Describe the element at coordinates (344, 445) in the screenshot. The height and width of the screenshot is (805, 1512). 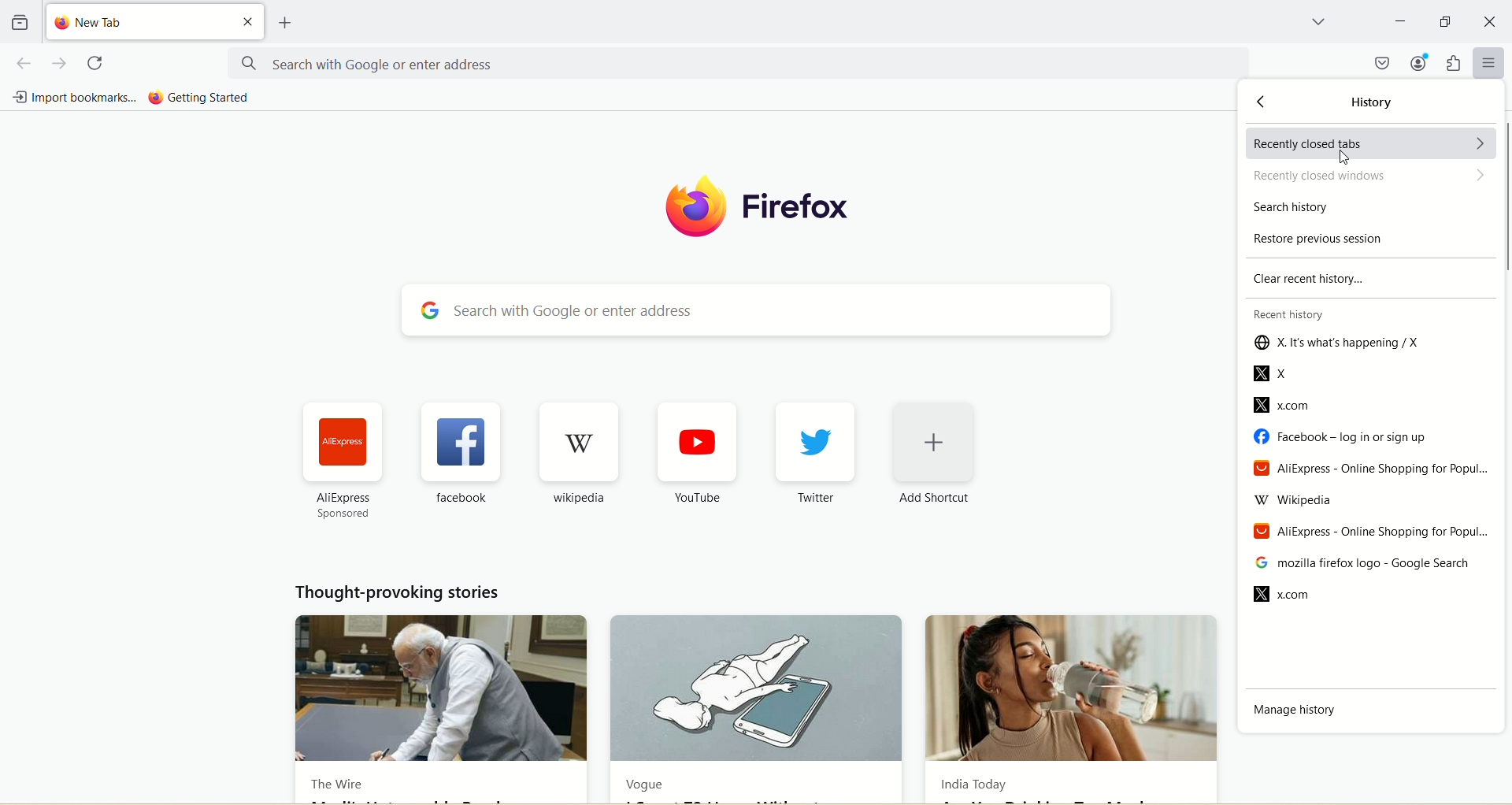
I see `aliexpress` at that location.